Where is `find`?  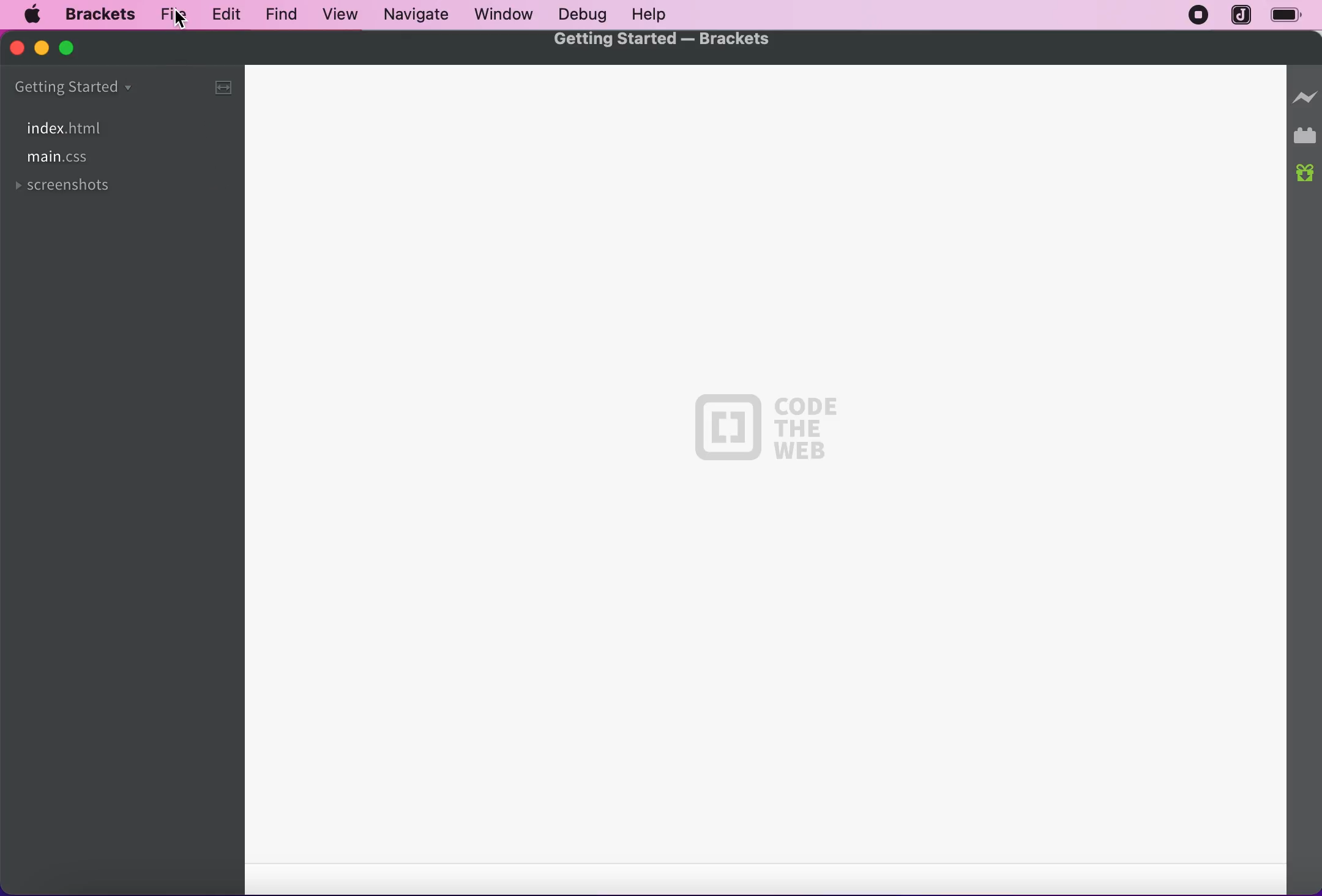
find is located at coordinates (275, 15).